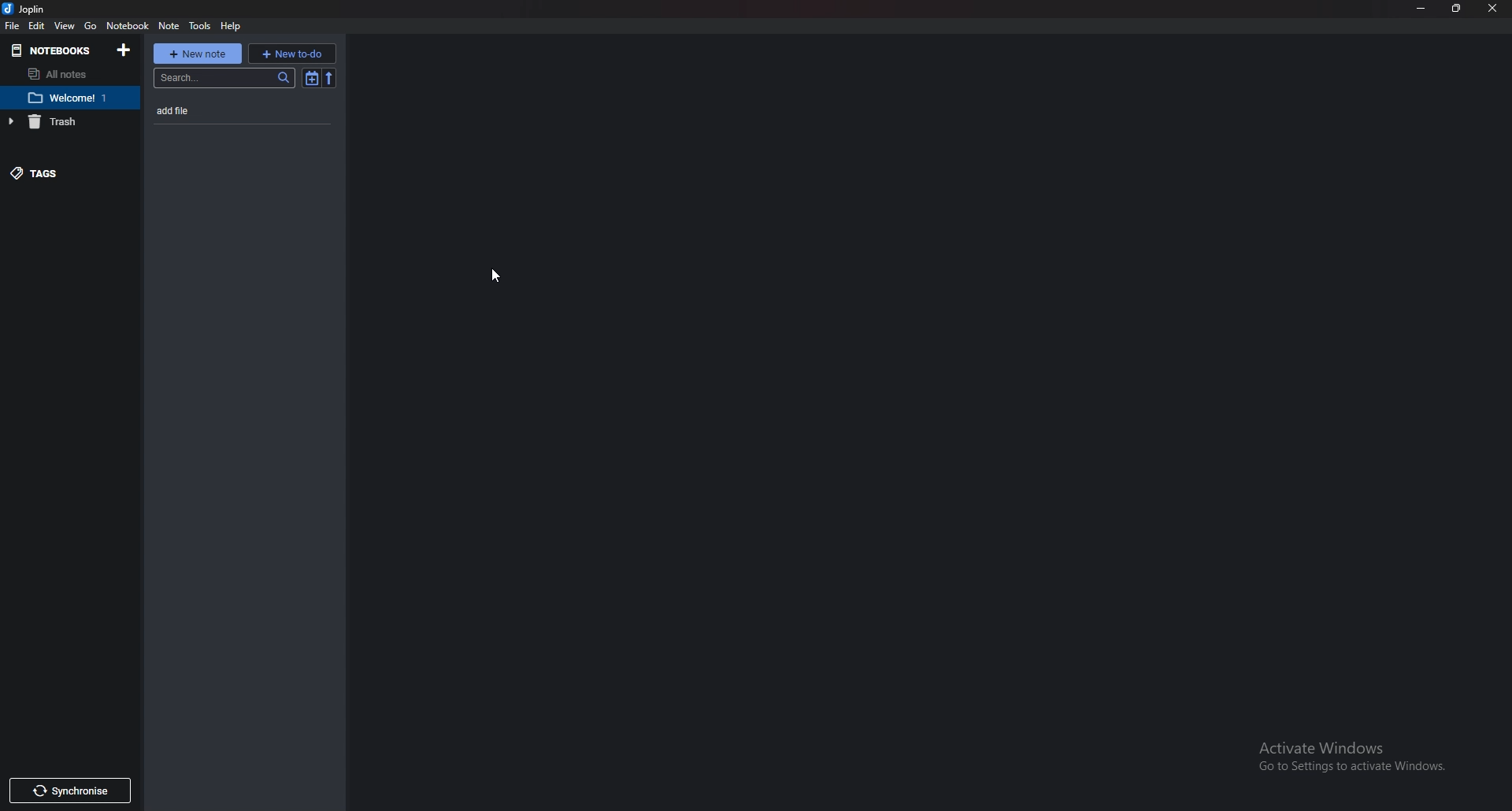  I want to click on Edit, so click(38, 27).